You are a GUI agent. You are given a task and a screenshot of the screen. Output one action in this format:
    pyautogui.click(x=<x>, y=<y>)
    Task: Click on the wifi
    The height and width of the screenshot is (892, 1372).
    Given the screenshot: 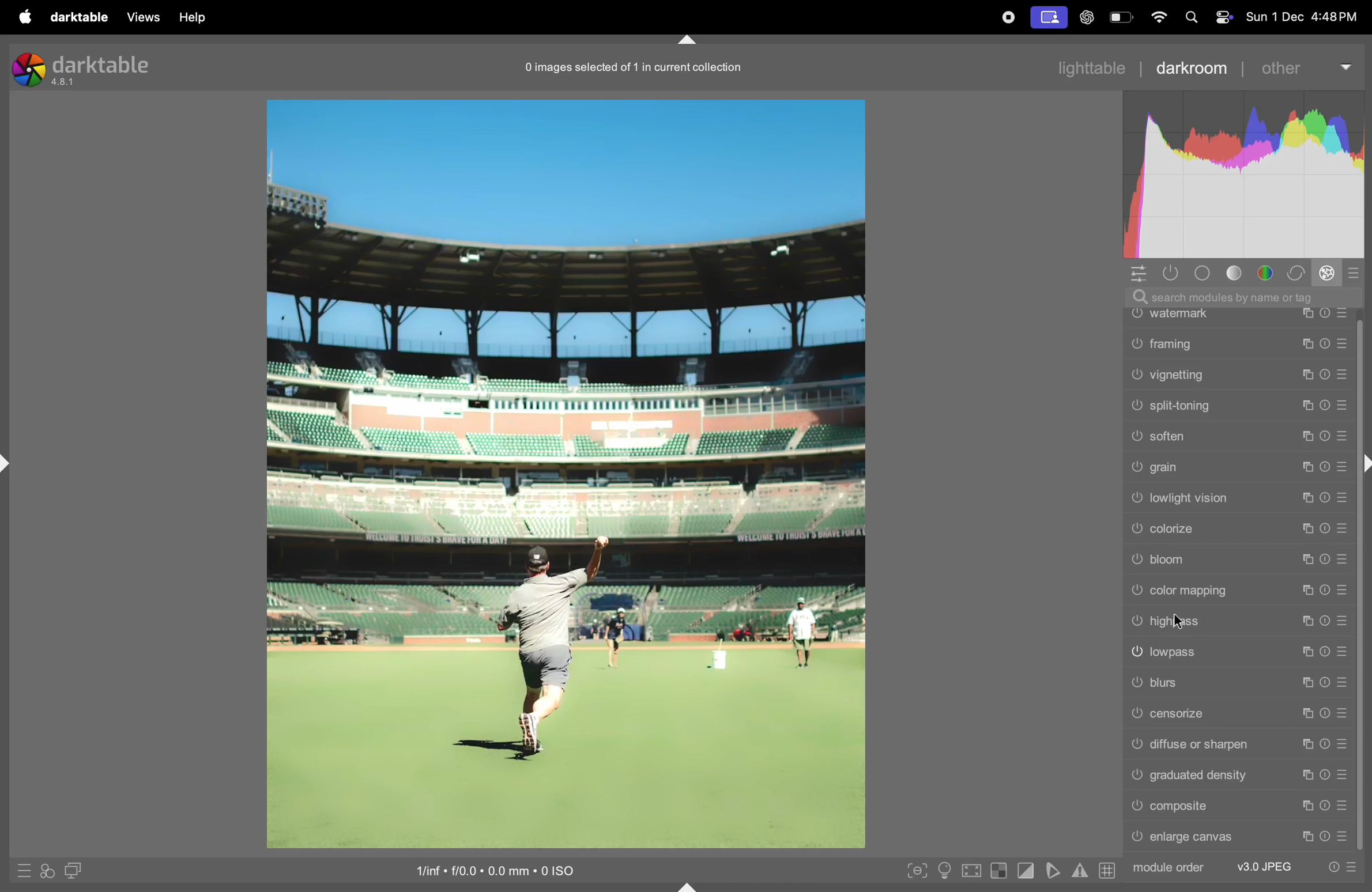 What is the action you would take?
    pyautogui.click(x=1158, y=18)
    